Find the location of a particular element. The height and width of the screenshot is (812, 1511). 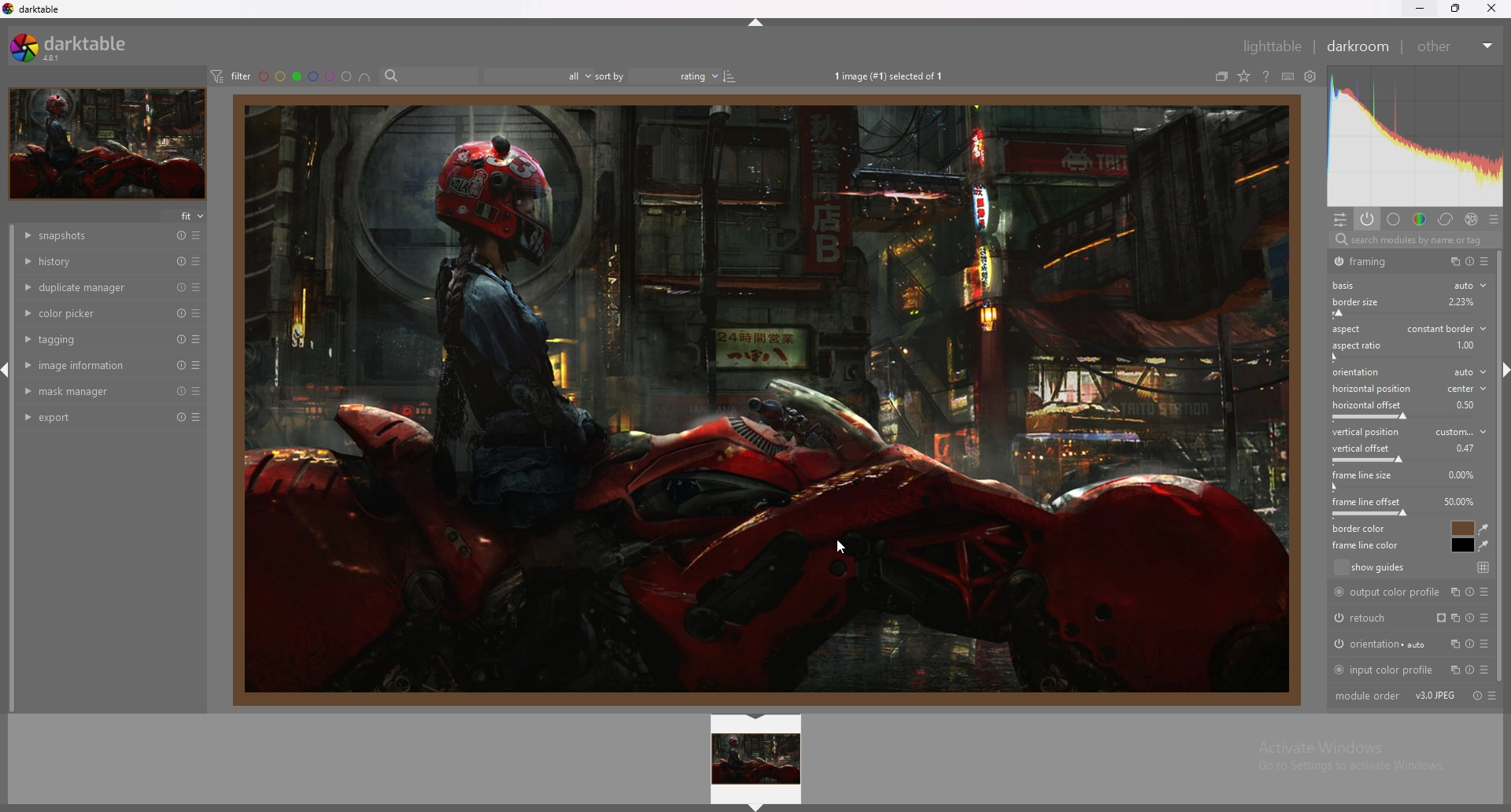

cursor is located at coordinates (840, 552).